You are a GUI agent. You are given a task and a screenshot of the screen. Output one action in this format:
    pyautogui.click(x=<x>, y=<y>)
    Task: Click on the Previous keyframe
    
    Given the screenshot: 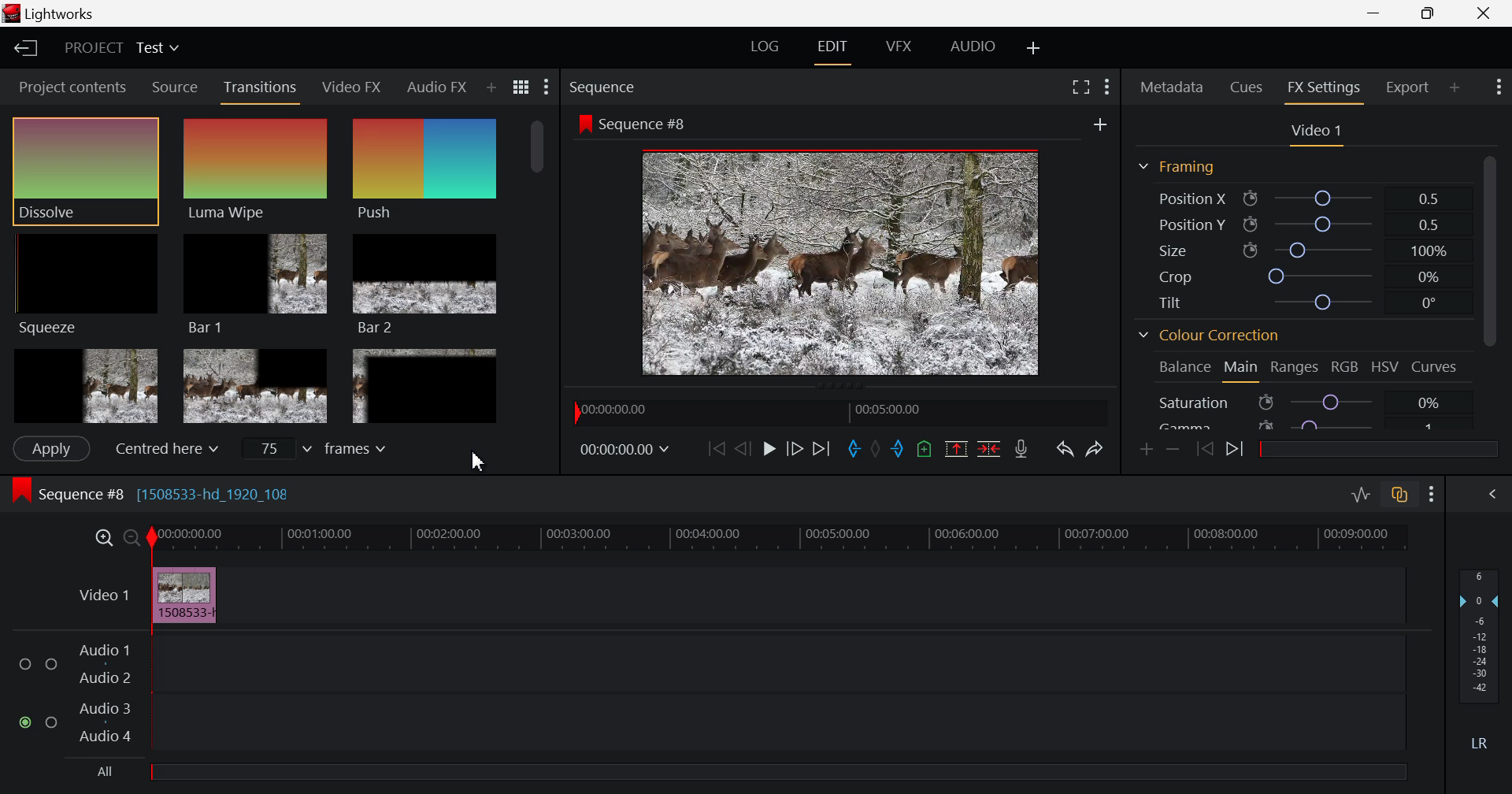 What is the action you would take?
    pyautogui.click(x=1208, y=450)
    